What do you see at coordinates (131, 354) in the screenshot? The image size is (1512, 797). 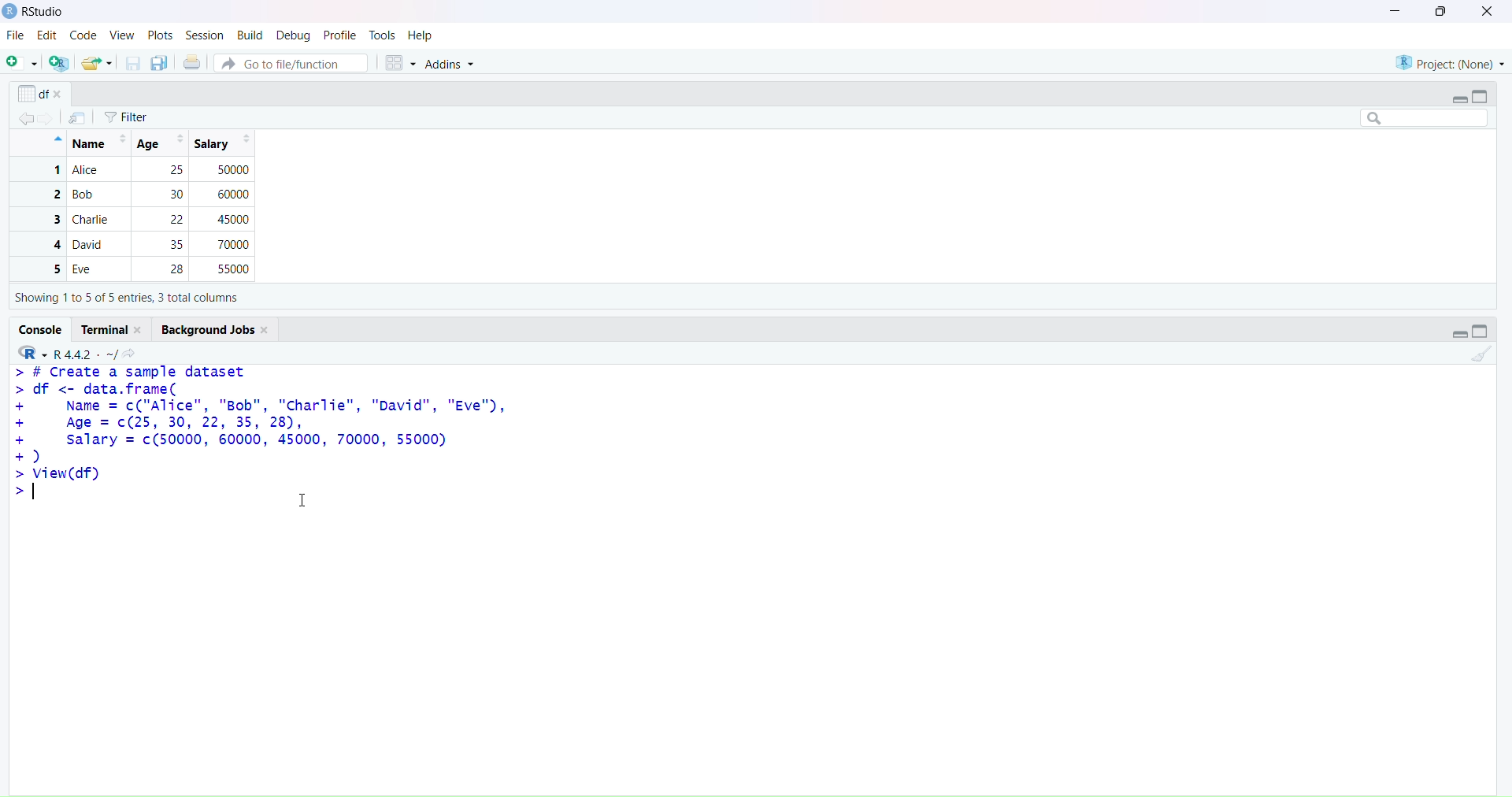 I see `view the current working directory` at bounding box center [131, 354].